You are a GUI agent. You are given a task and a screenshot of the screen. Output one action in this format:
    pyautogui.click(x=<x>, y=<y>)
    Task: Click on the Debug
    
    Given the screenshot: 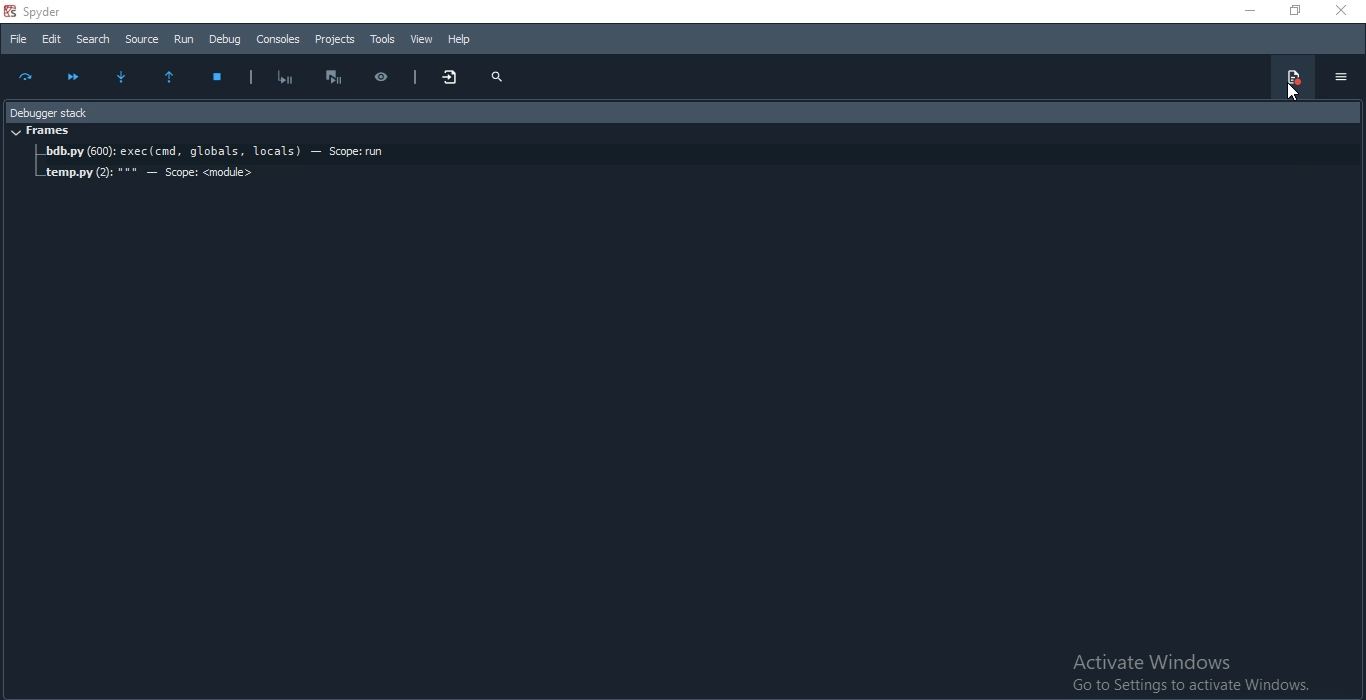 What is the action you would take?
    pyautogui.click(x=225, y=39)
    